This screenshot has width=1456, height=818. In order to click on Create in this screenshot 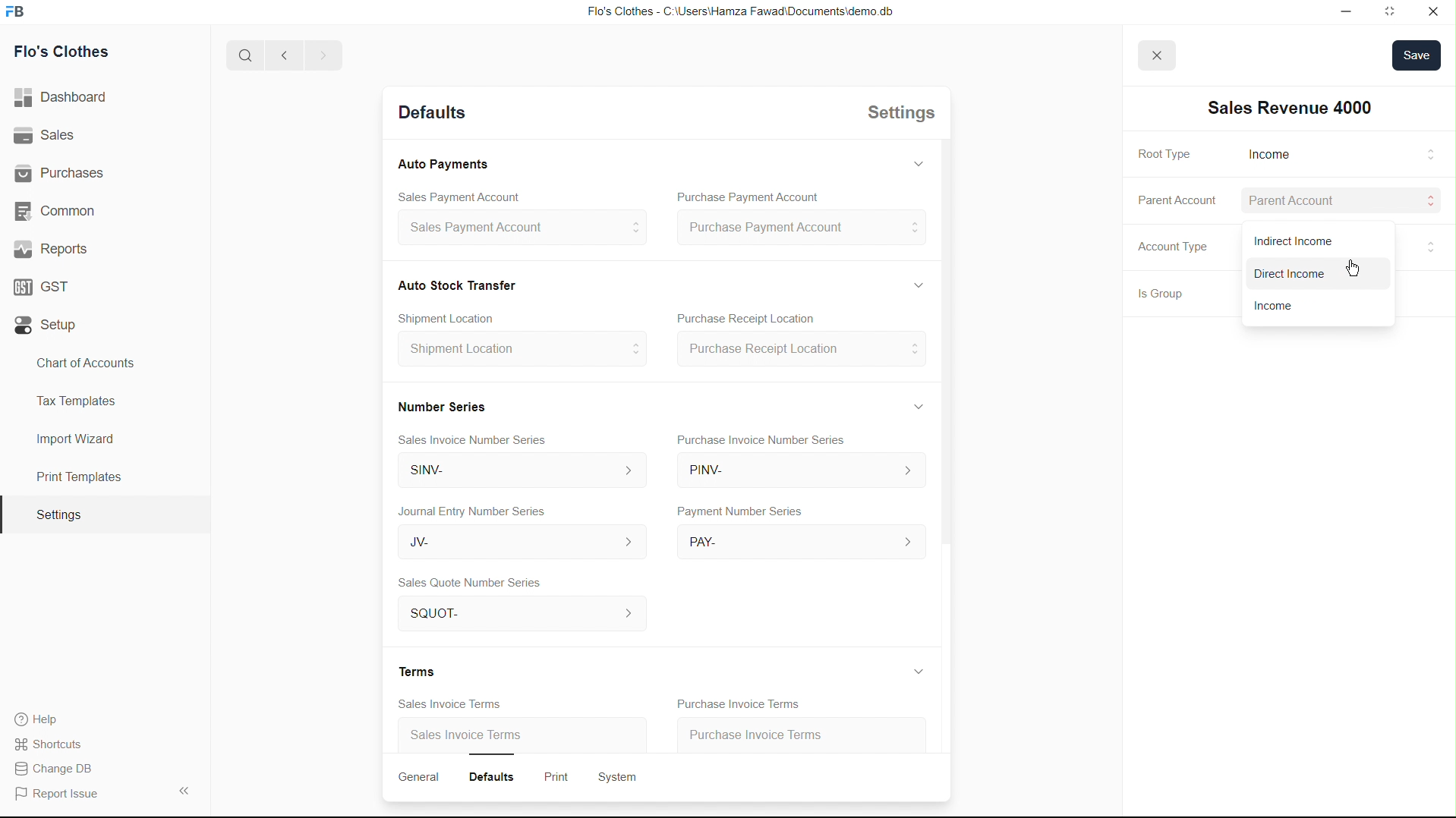, I will do `click(456, 315)`.